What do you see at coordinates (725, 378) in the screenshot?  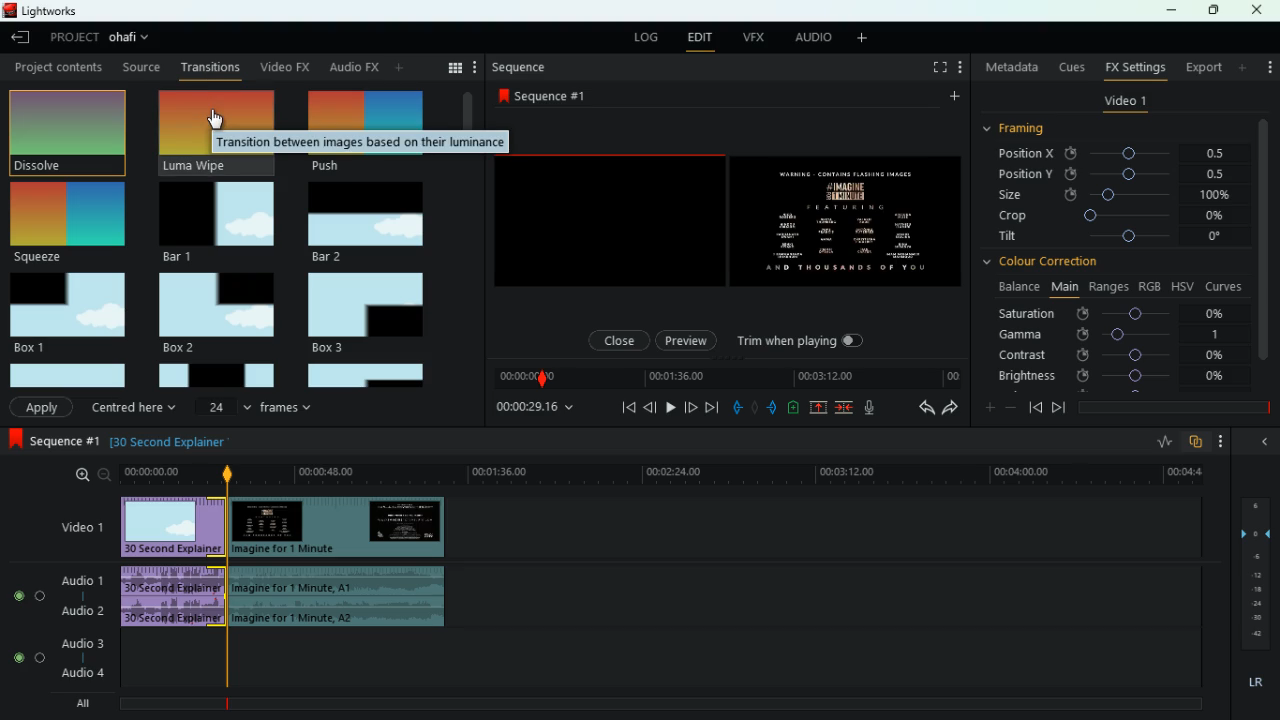 I see `time` at bounding box center [725, 378].